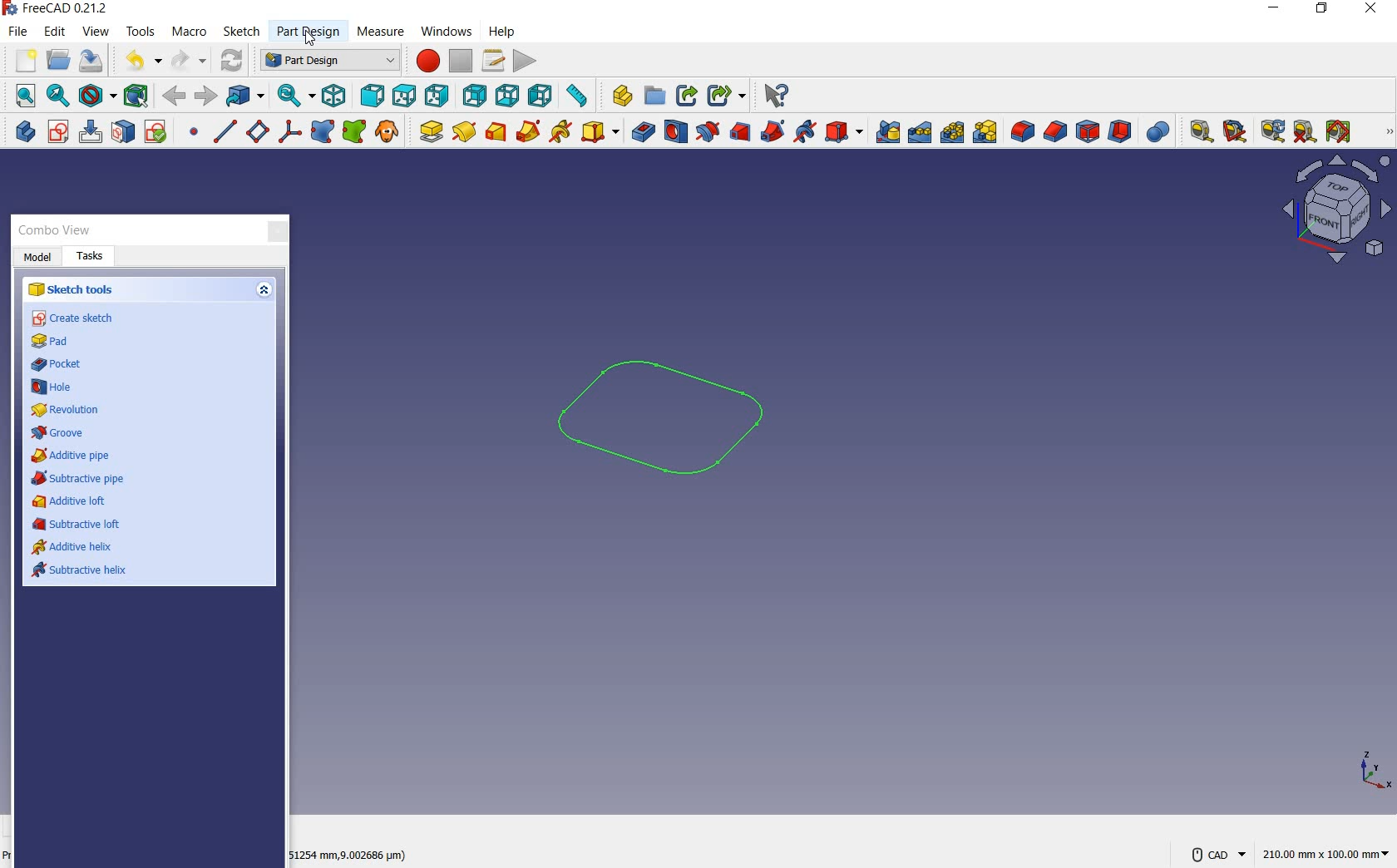 This screenshot has height=868, width=1397. Describe the element at coordinates (241, 32) in the screenshot. I see `sketch` at that location.